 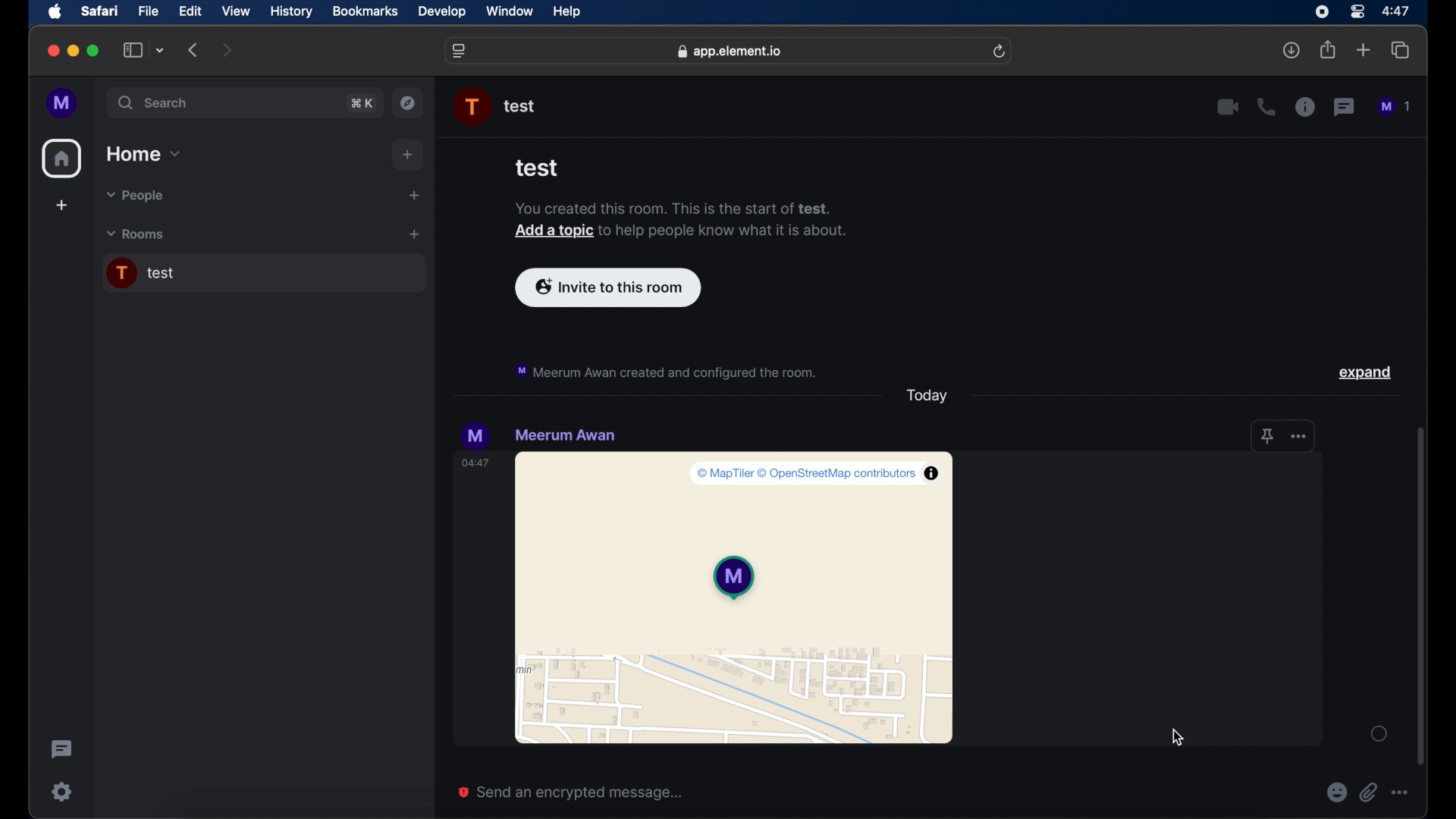 I want to click on maximize, so click(x=94, y=51).